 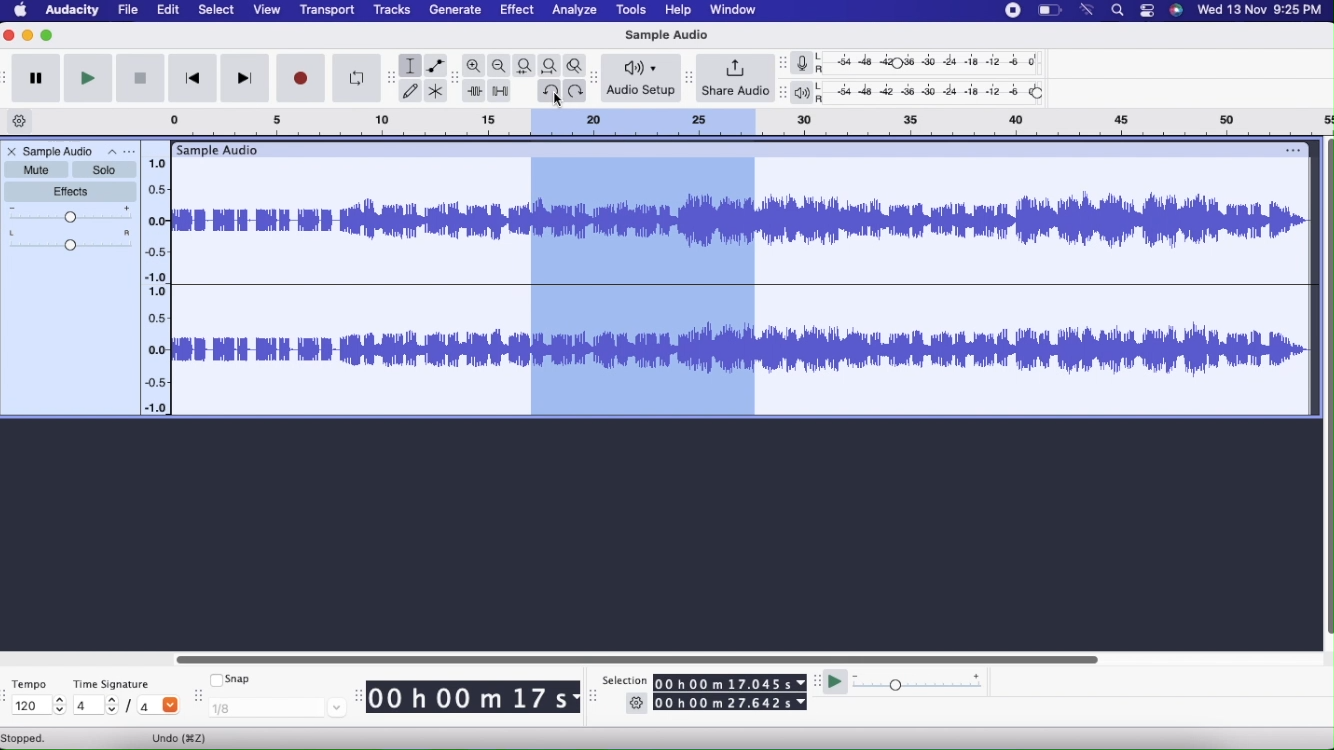 I want to click on Analyze, so click(x=576, y=11).